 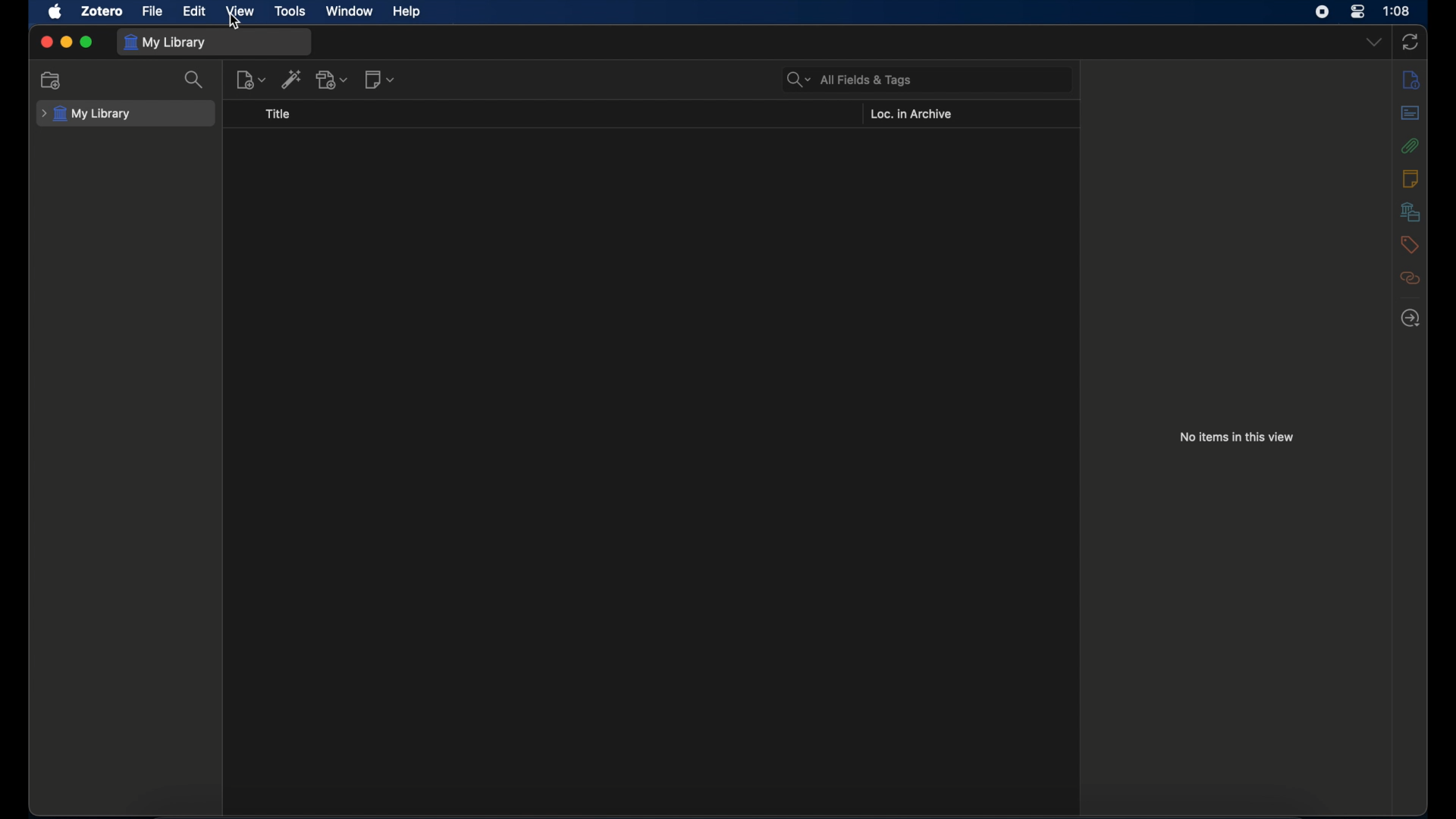 I want to click on dropdown, so click(x=1373, y=42).